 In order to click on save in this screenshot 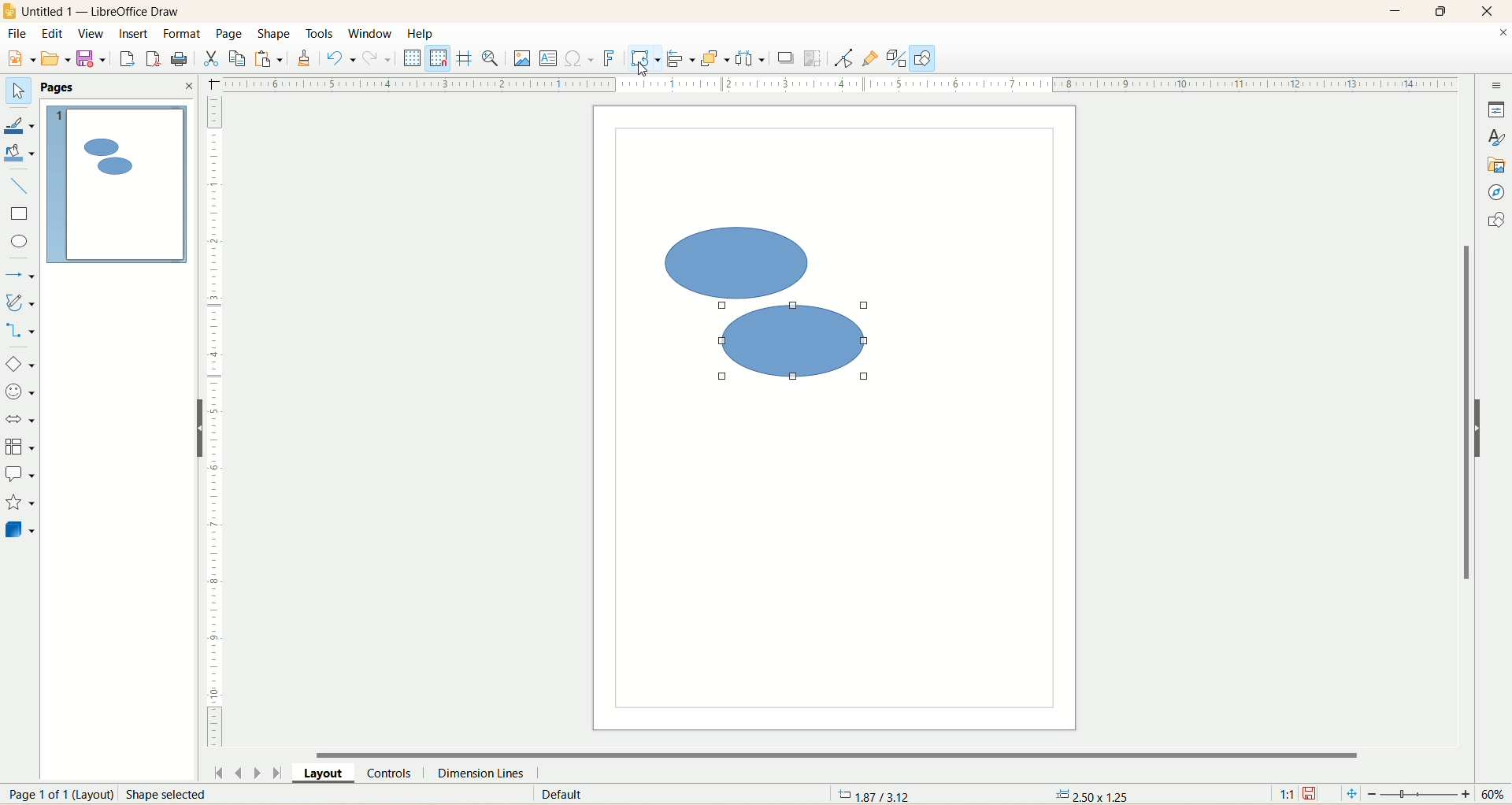, I will do `click(1312, 793)`.